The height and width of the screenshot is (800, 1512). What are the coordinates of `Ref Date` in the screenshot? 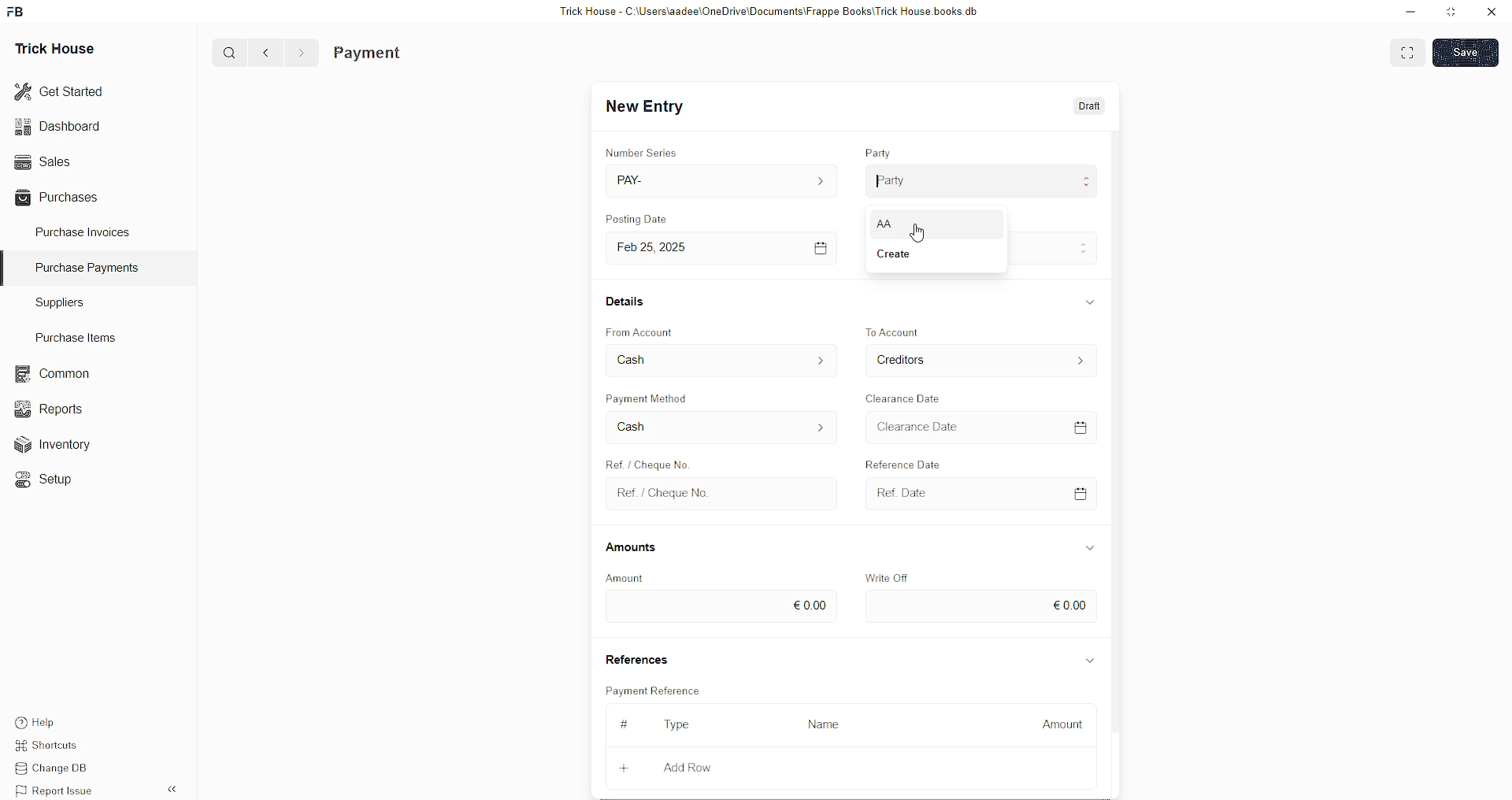 It's located at (895, 492).